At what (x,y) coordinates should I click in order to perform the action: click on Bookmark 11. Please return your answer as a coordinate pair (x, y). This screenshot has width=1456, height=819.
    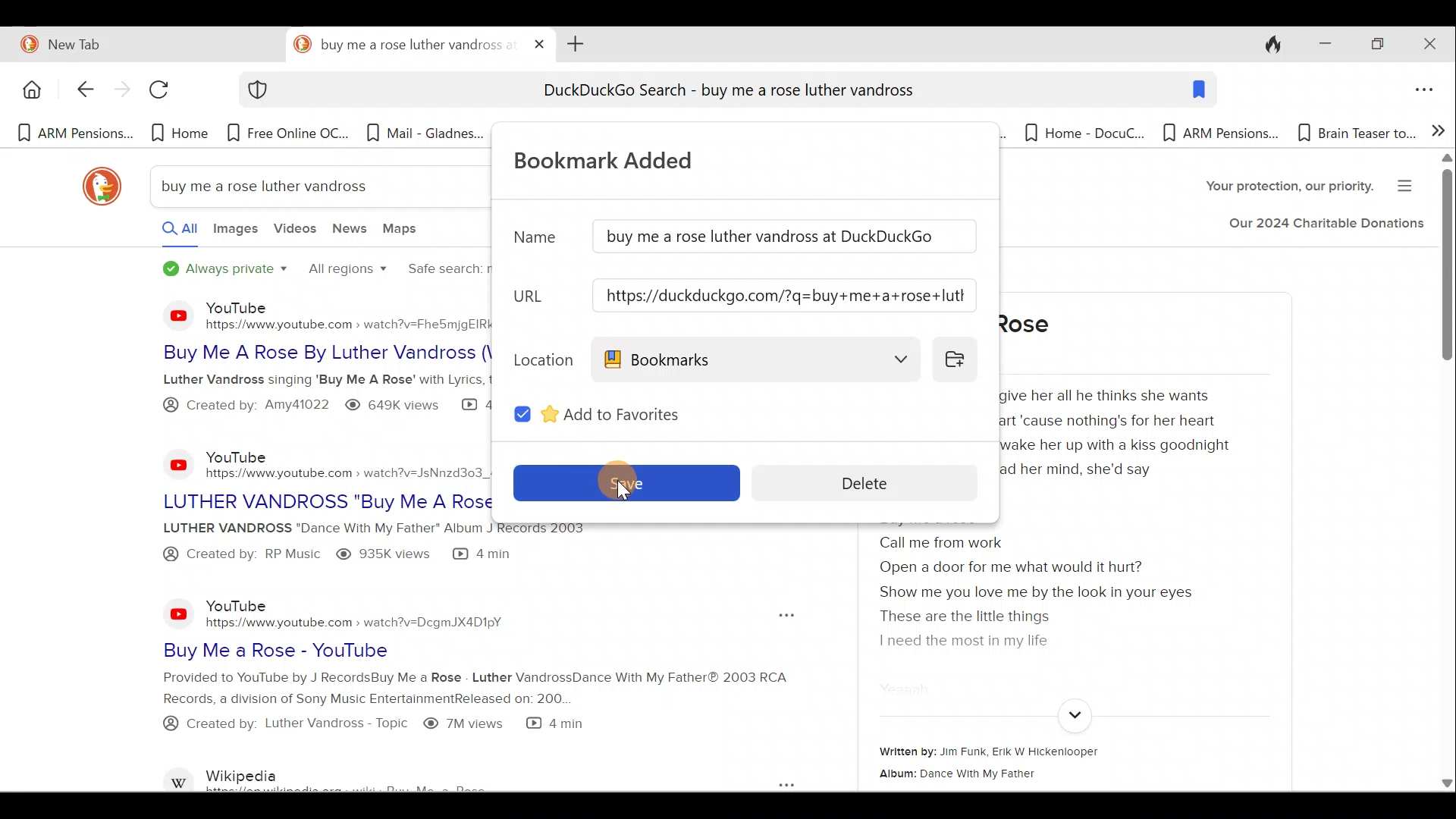
    Looking at the image, I should click on (1354, 133).